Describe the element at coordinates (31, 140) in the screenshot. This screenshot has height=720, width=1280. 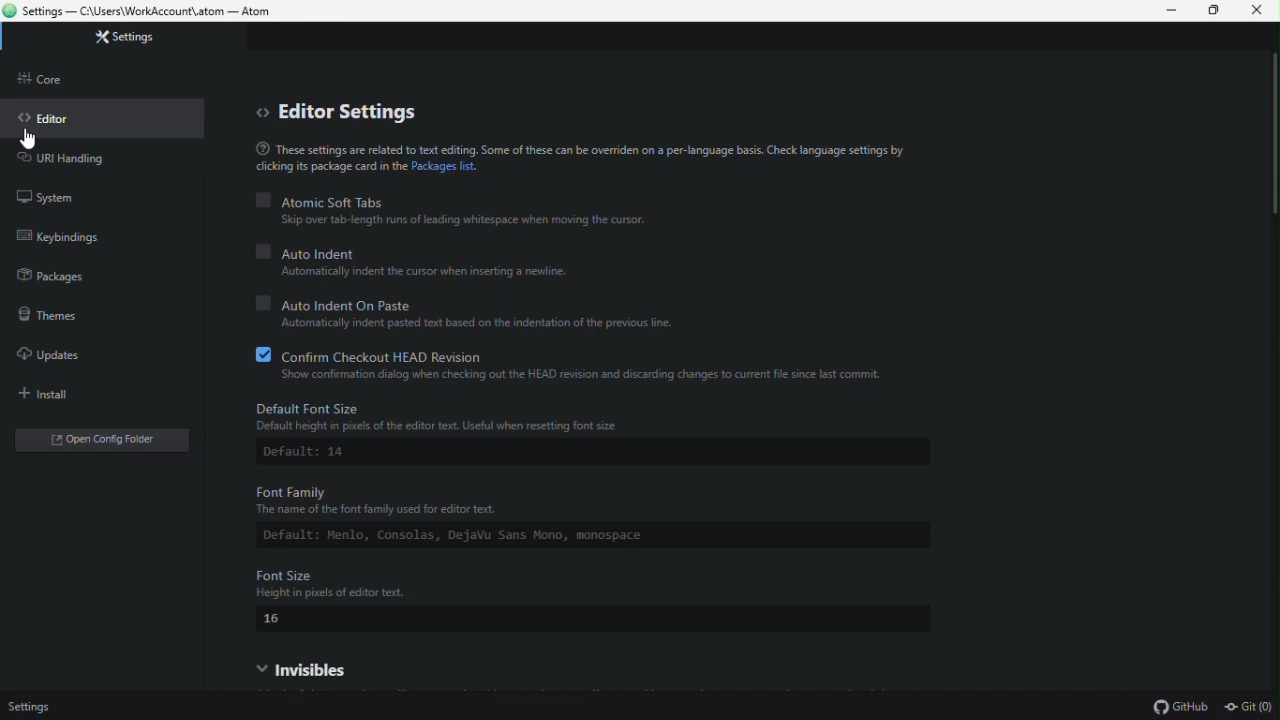
I see `cursor` at that location.